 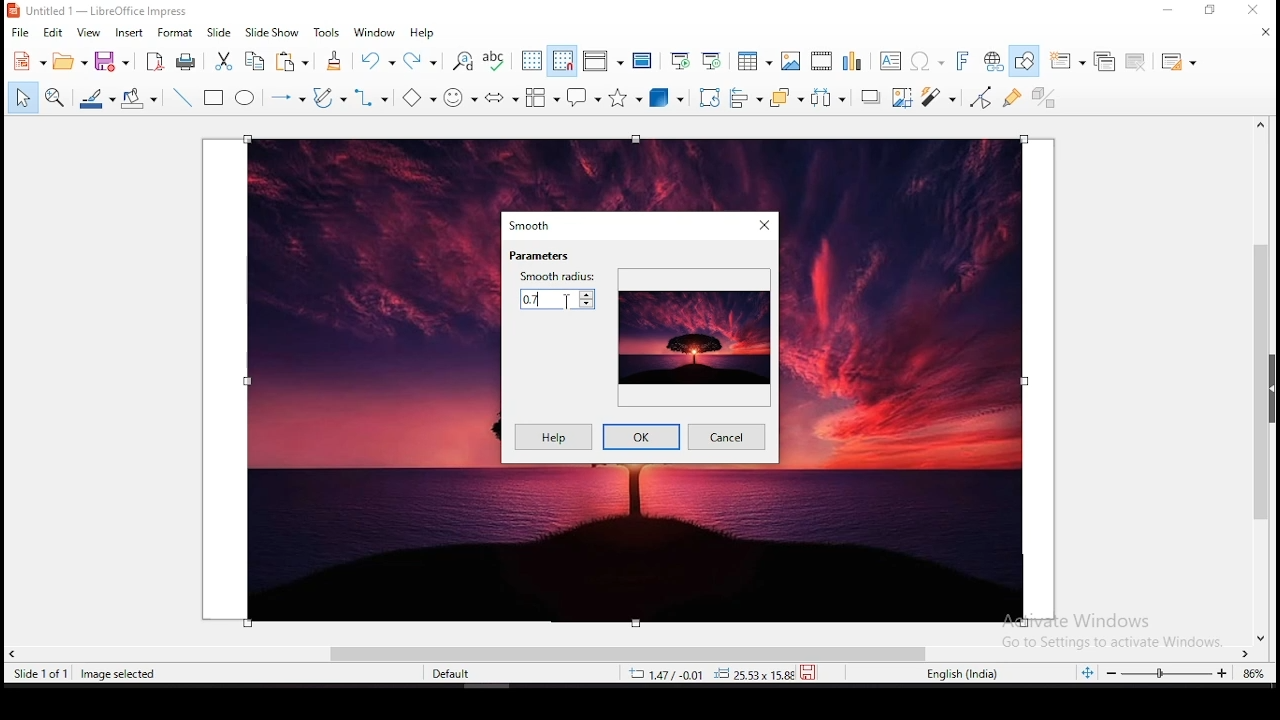 I want to click on dmooth, so click(x=532, y=225).